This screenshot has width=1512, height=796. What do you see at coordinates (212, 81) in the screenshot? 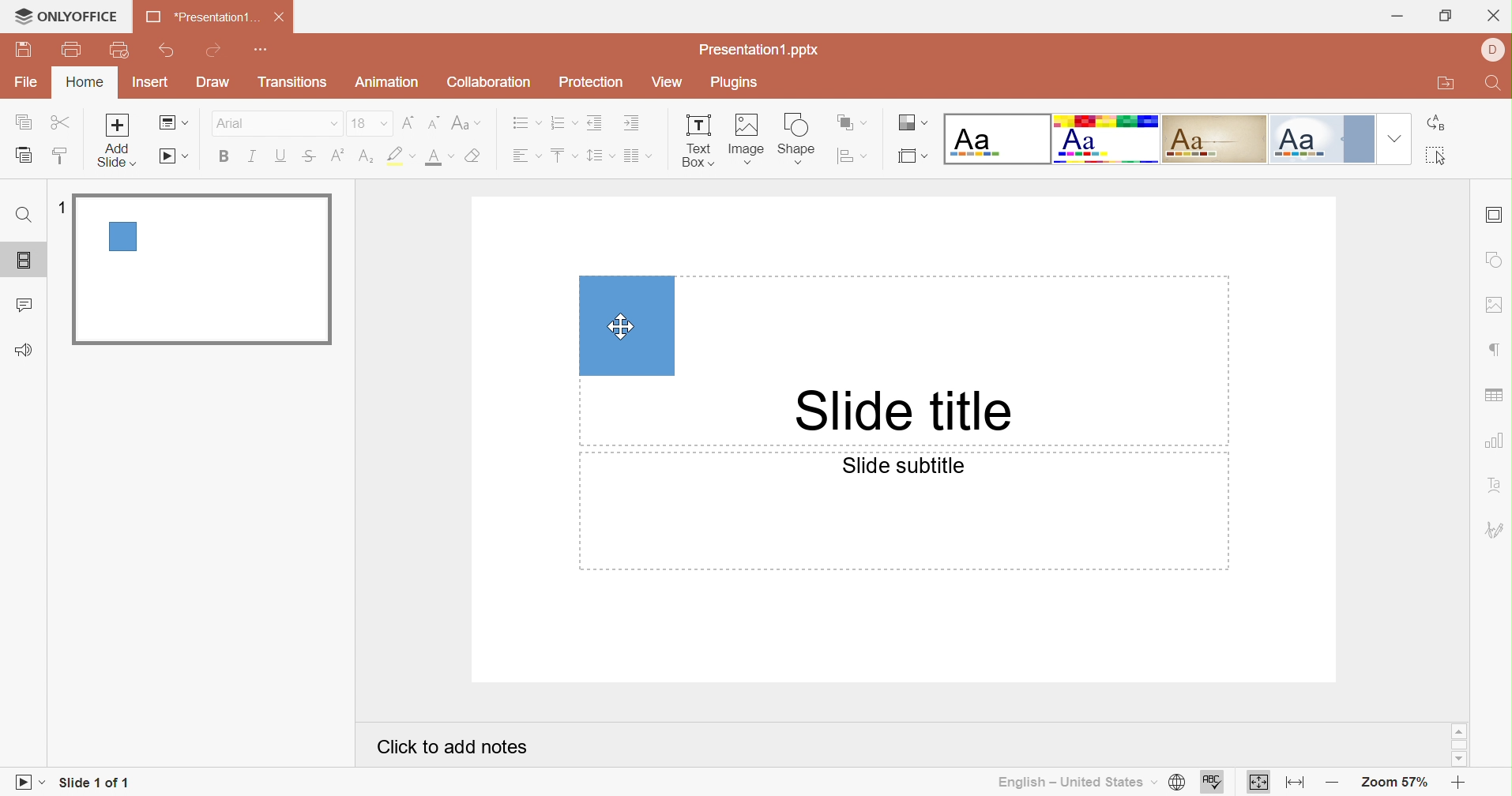
I see `Draw` at bounding box center [212, 81].